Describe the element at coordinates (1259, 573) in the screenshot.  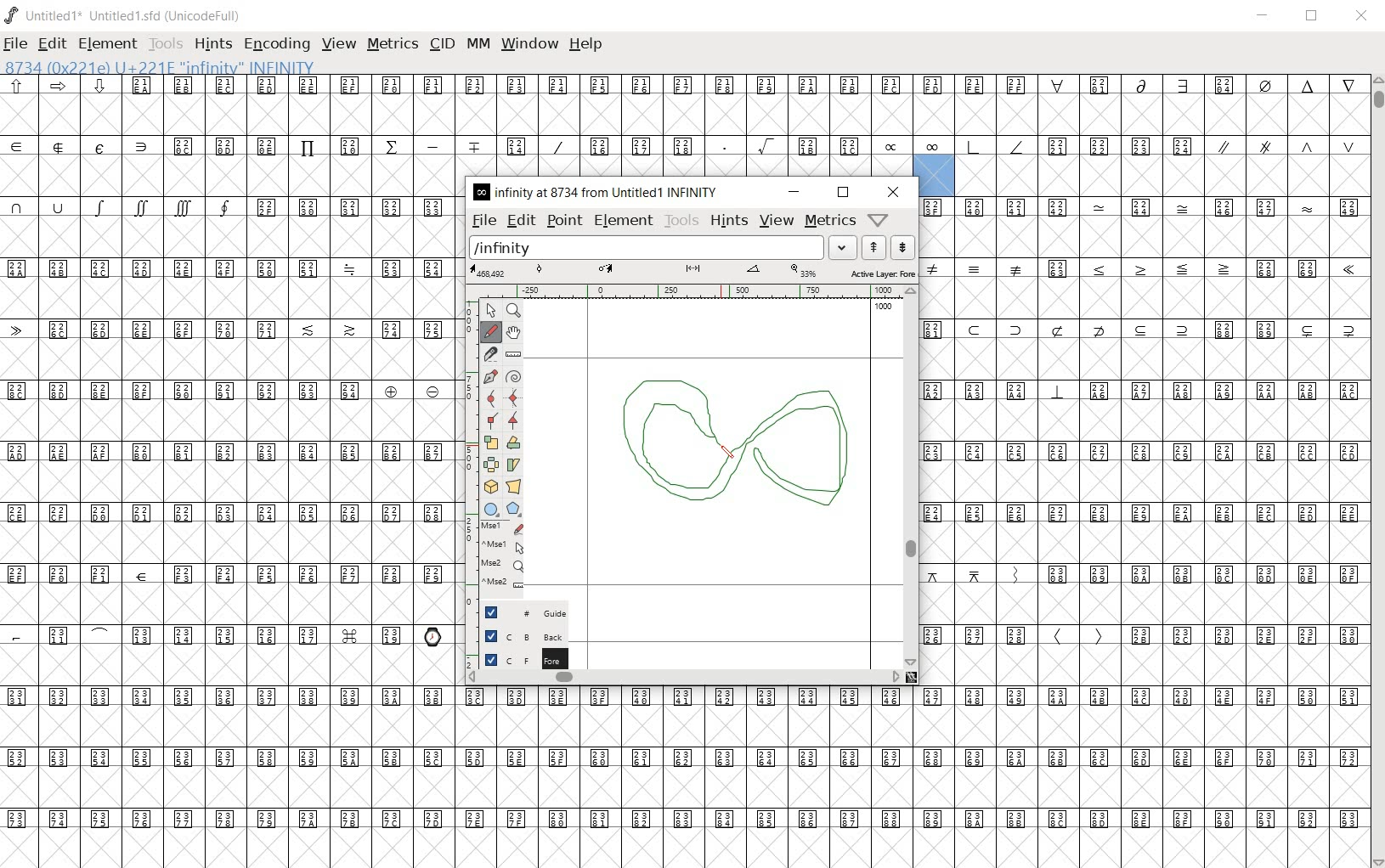
I see `Unicode code points` at that location.